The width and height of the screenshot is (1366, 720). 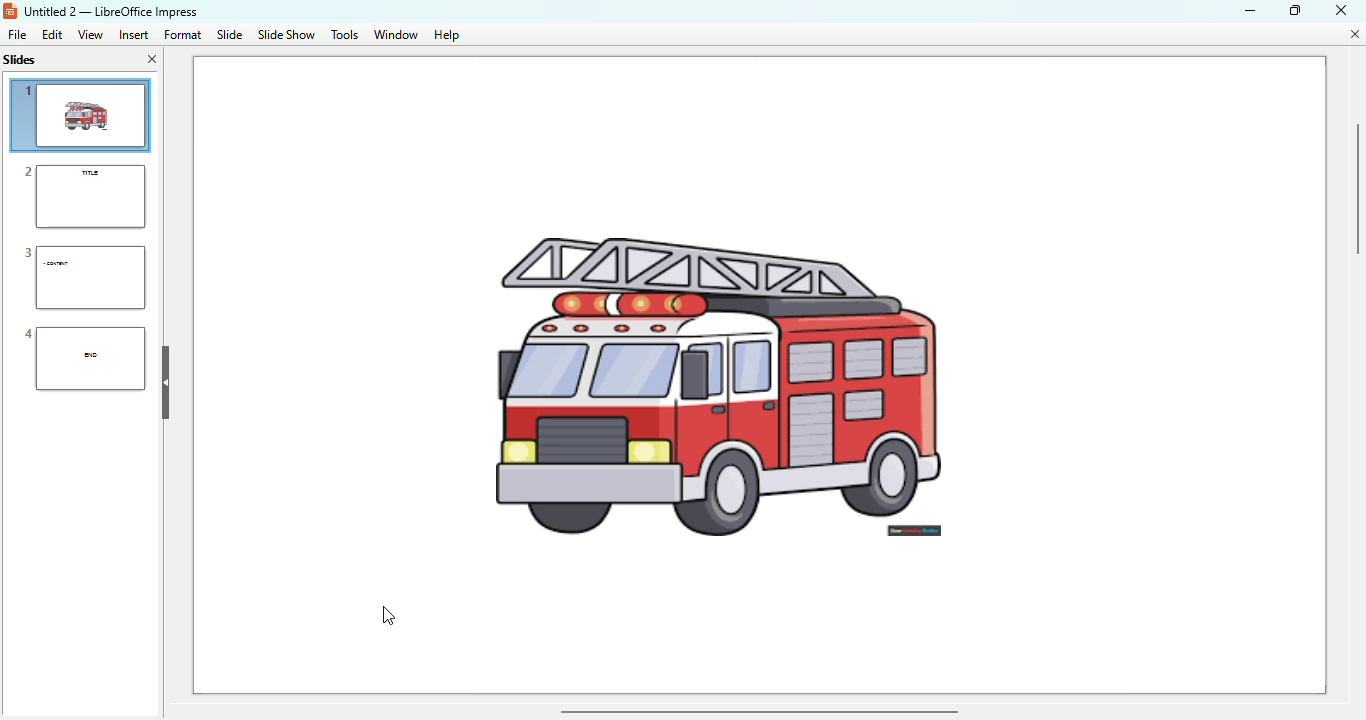 What do you see at coordinates (83, 278) in the screenshot?
I see `slide 3` at bounding box center [83, 278].